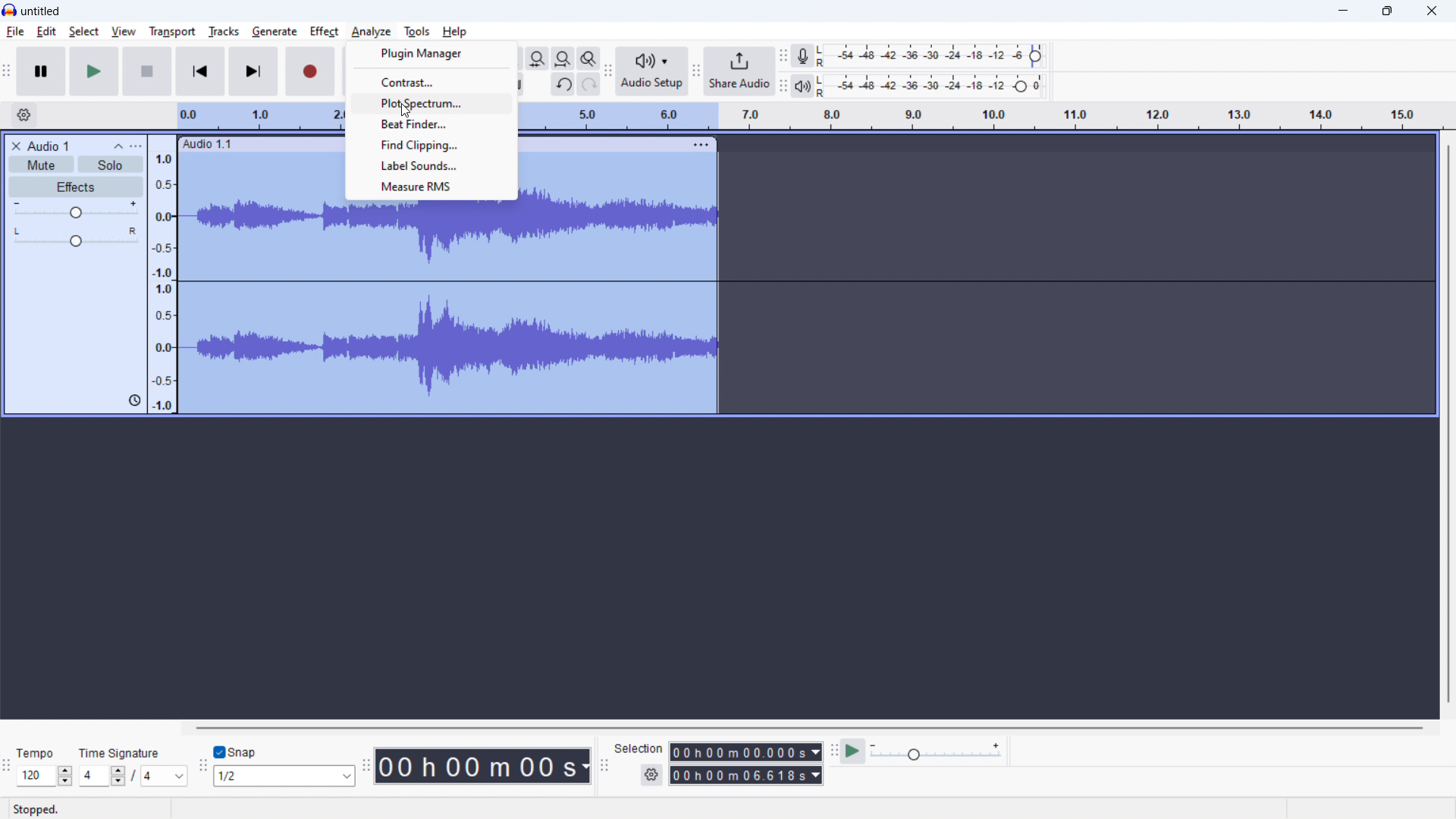  What do you see at coordinates (432, 124) in the screenshot?
I see `beat finder` at bounding box center [432, 124].